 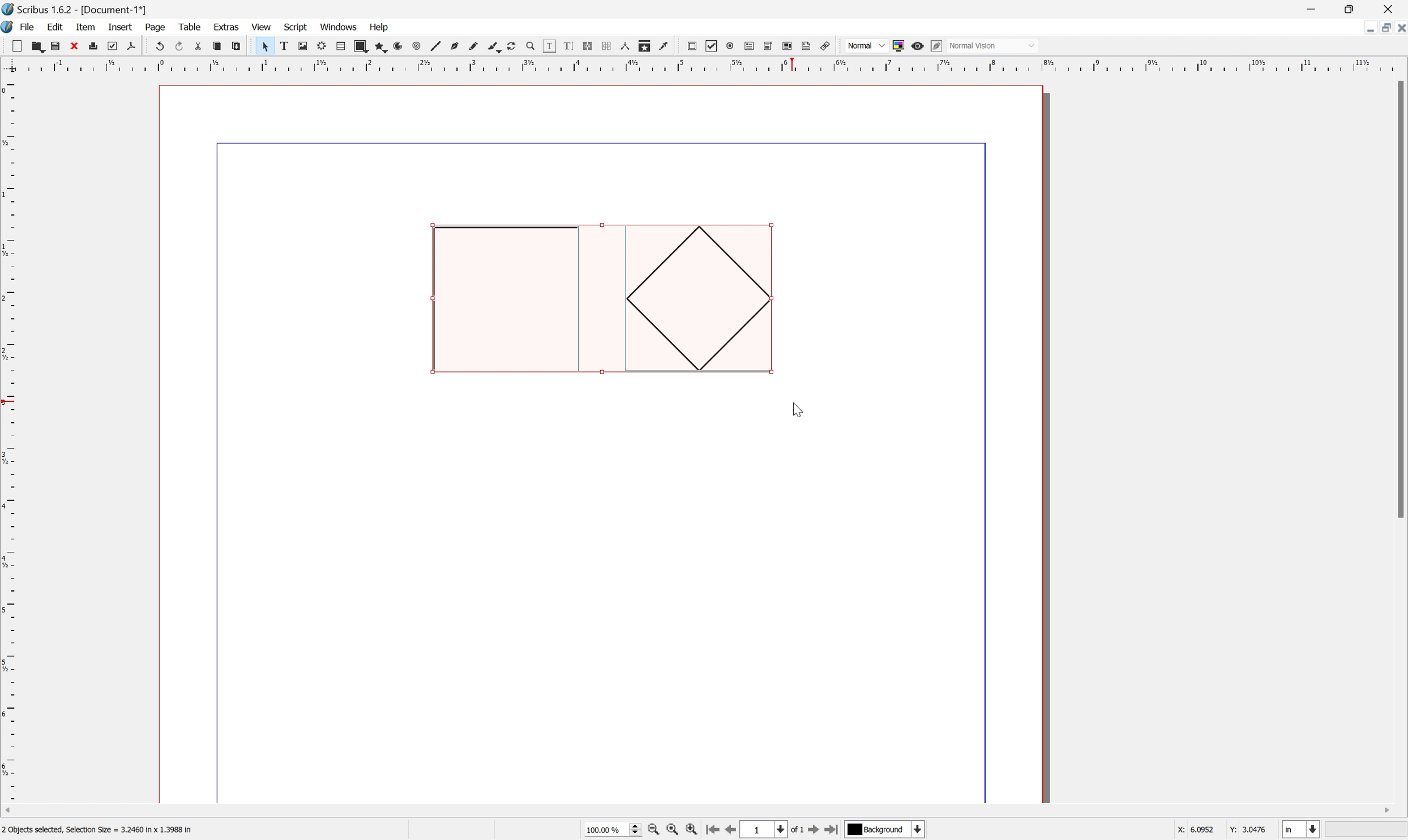 What do you see at coordinates (609, 829) in the screenshot?
I see `Select current zoom level` at bounding box center [609, 829].